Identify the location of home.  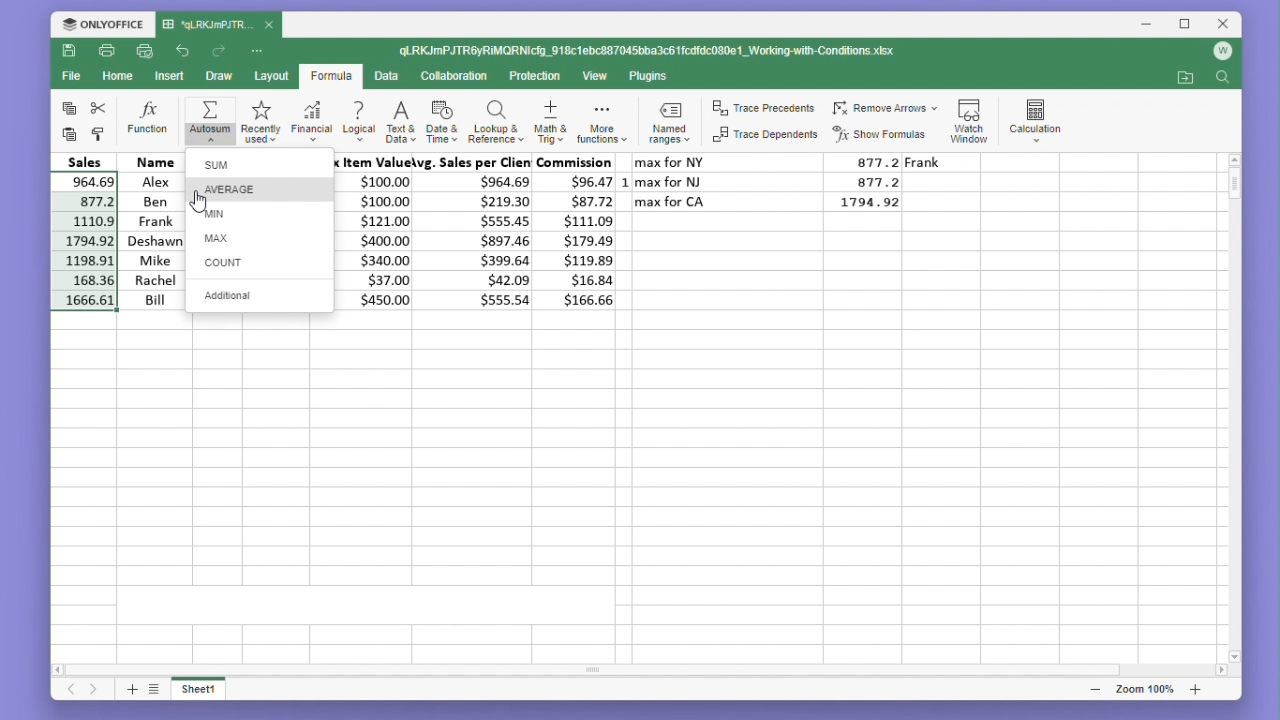
(114, 75).